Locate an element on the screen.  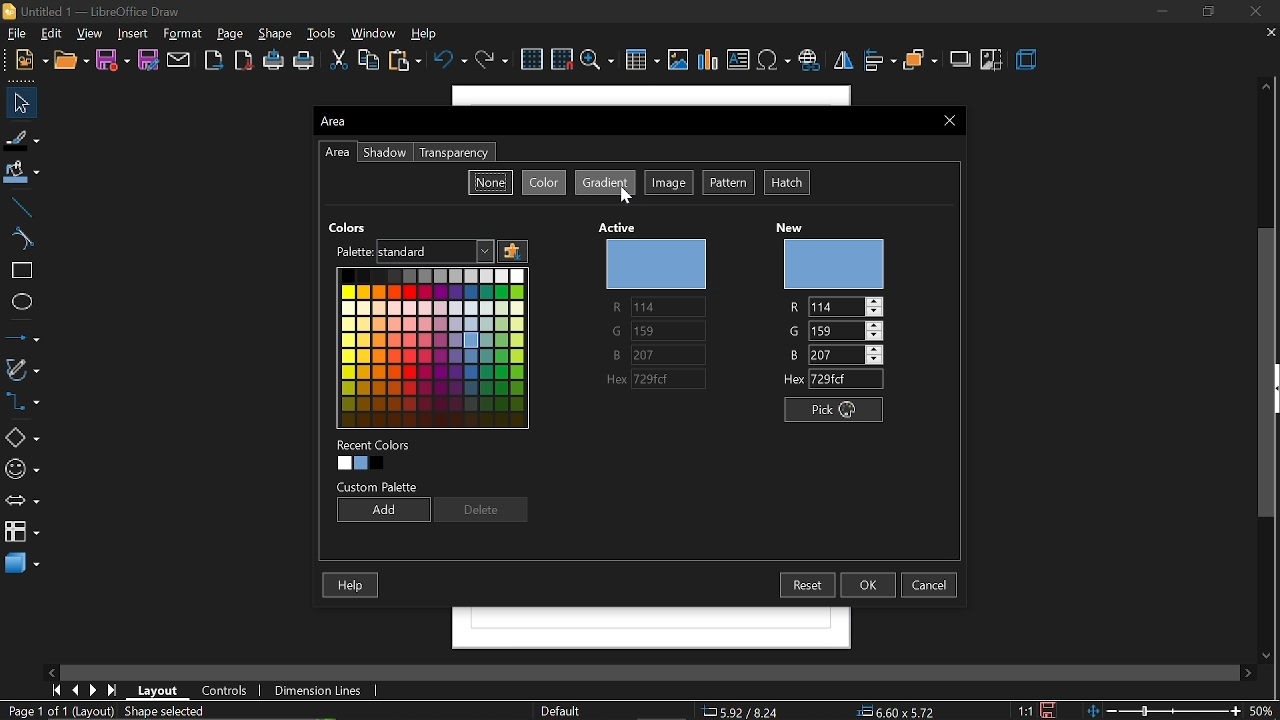
symbol shapes is located at coordinates (21, 470).